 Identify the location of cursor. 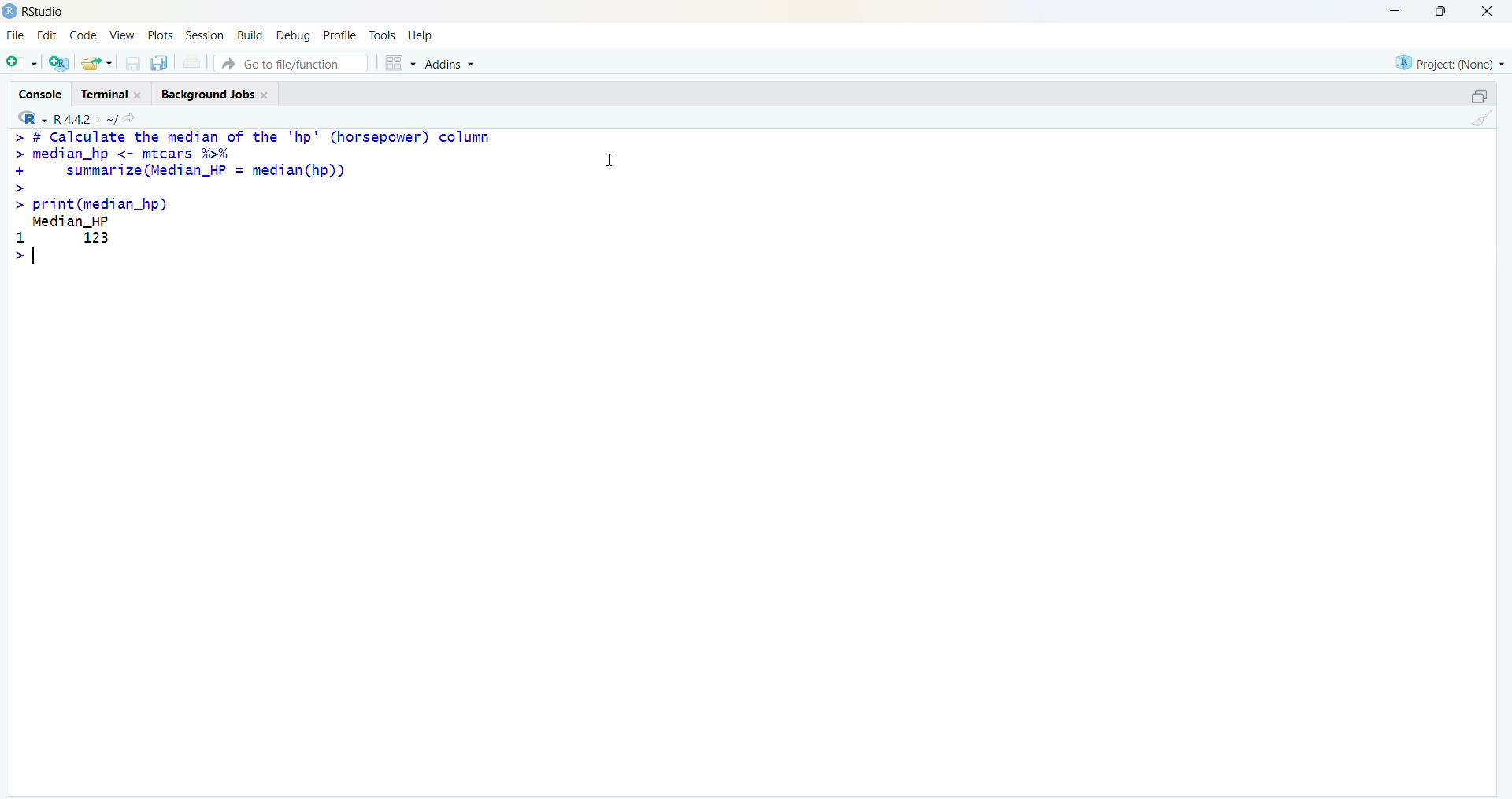
(610, 162).